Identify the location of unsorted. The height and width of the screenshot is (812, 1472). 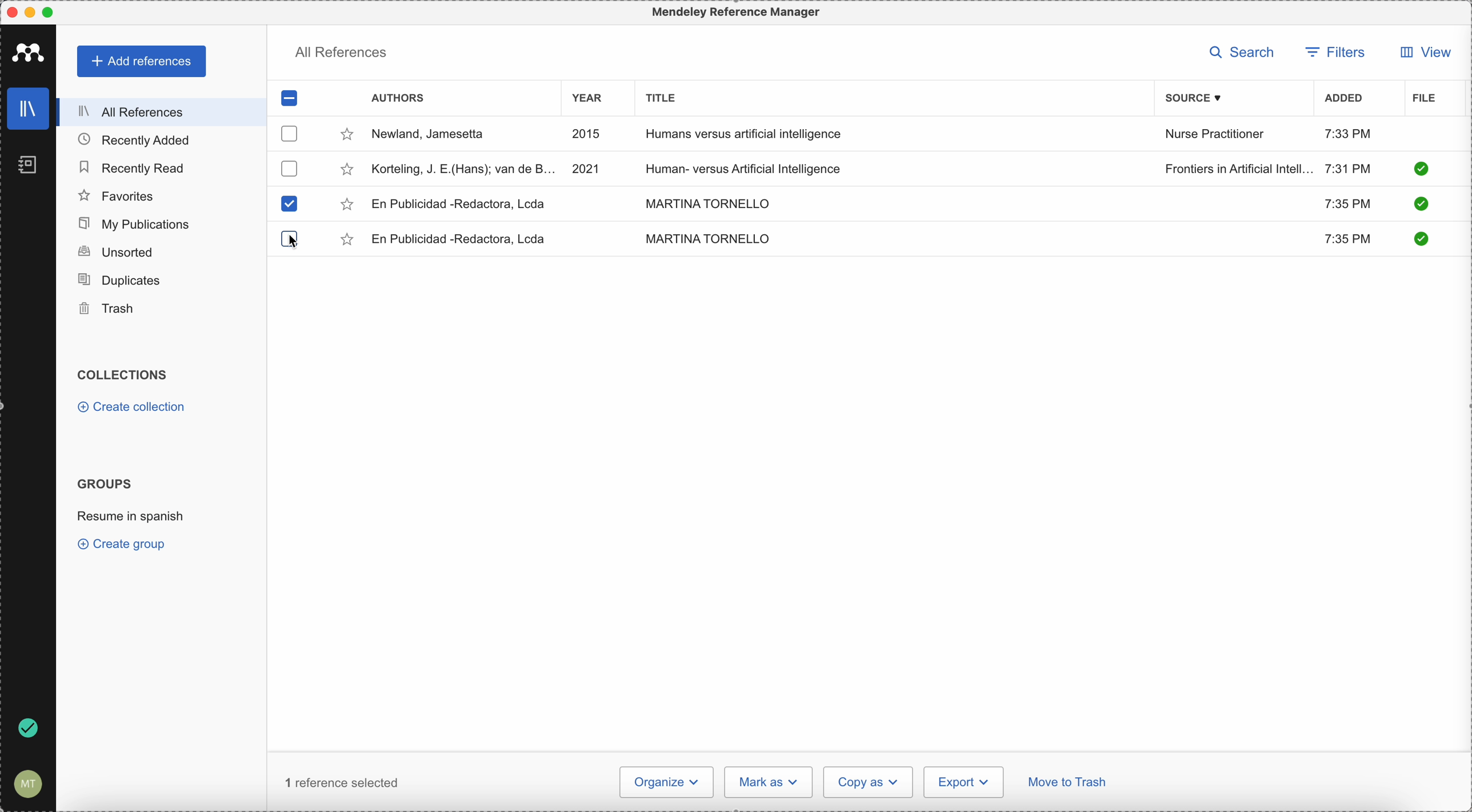
(115, 251).